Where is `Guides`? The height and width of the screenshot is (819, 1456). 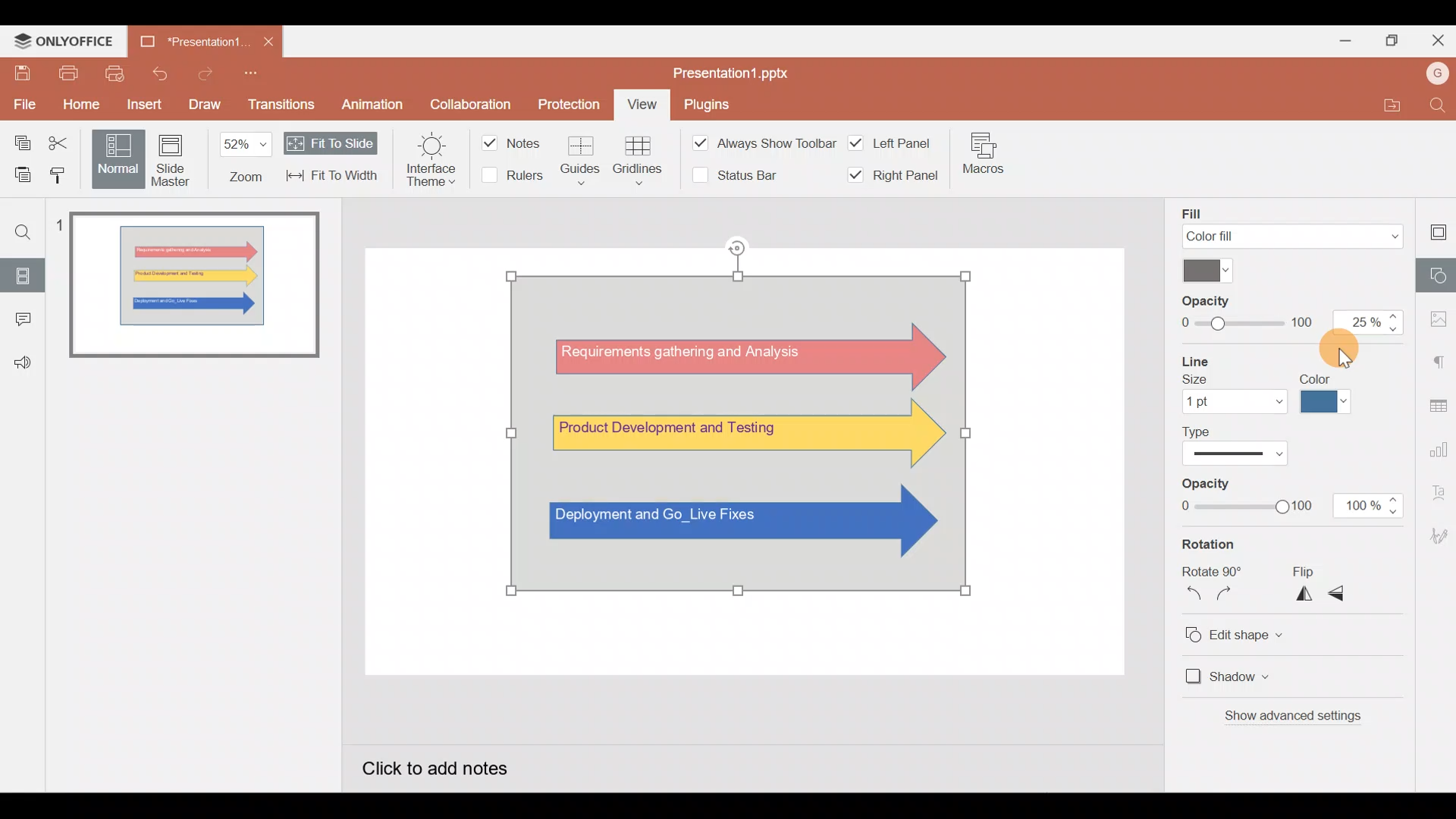 Guides is located at coordinates (583, 157).